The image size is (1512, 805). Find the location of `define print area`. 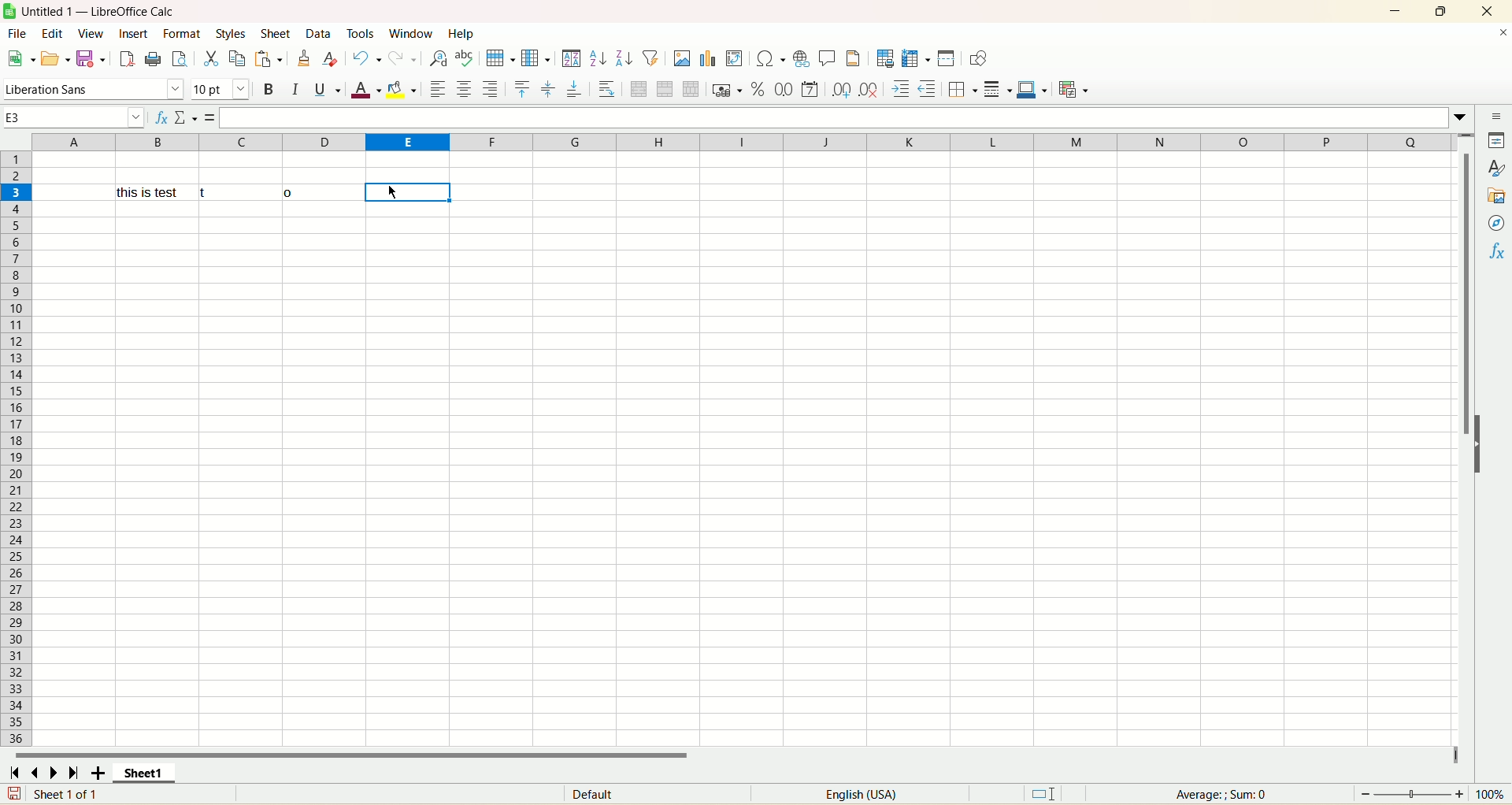

define print area is located at coordinates (885, 60).